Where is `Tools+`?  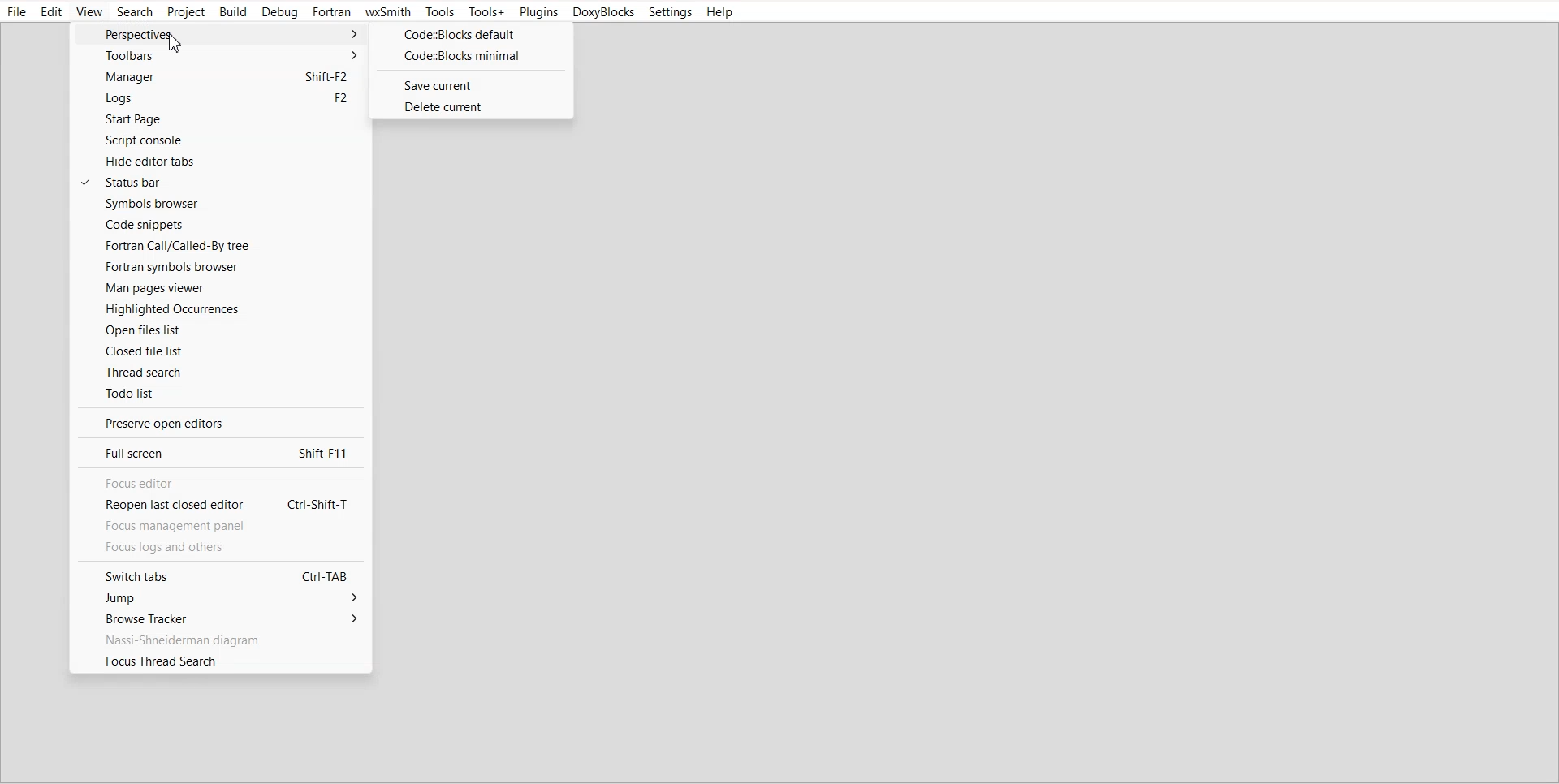
Tools+ is located at coordinates (486, 12).